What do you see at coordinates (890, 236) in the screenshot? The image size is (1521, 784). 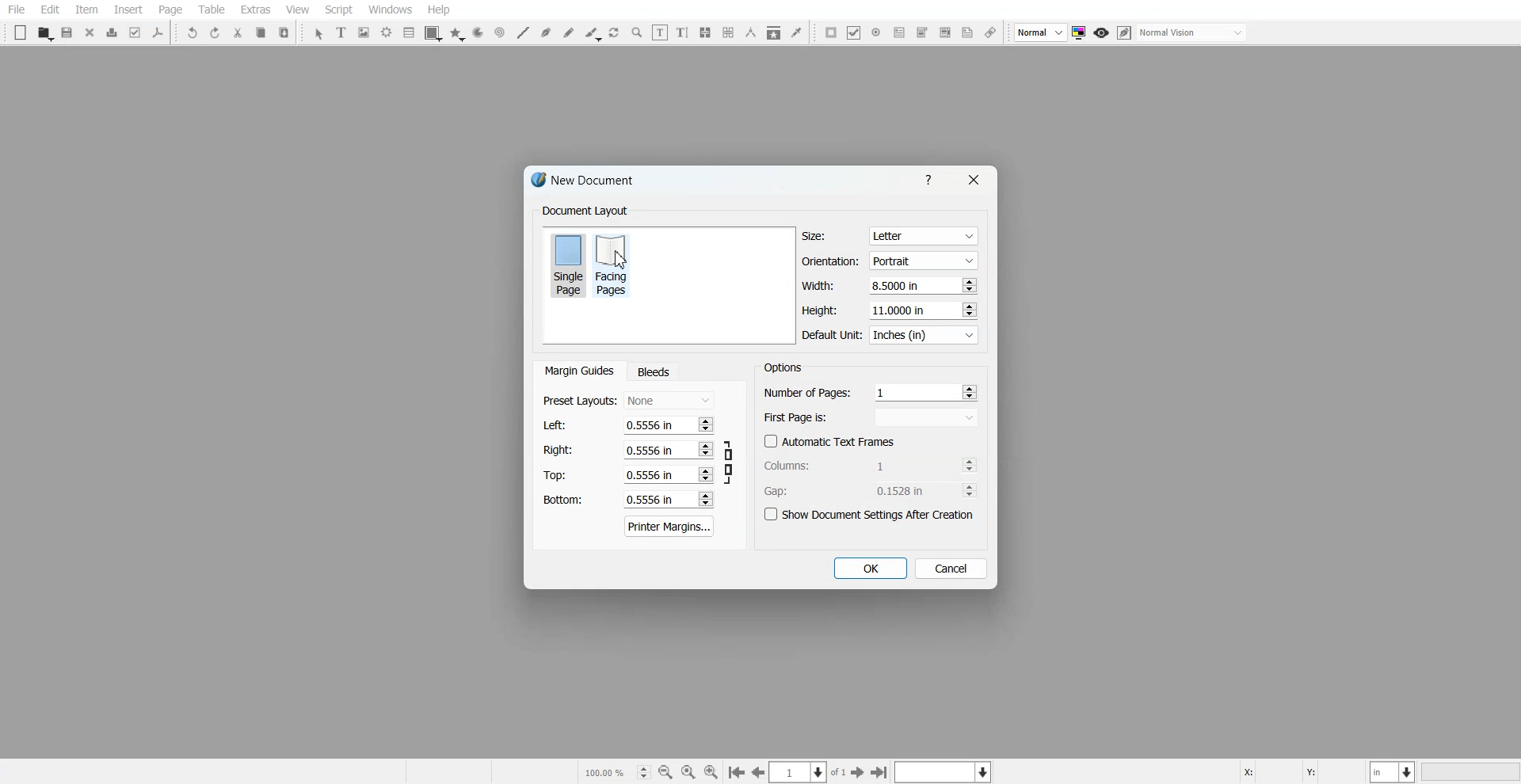 I see `Size` at bounding box center [890, 236].